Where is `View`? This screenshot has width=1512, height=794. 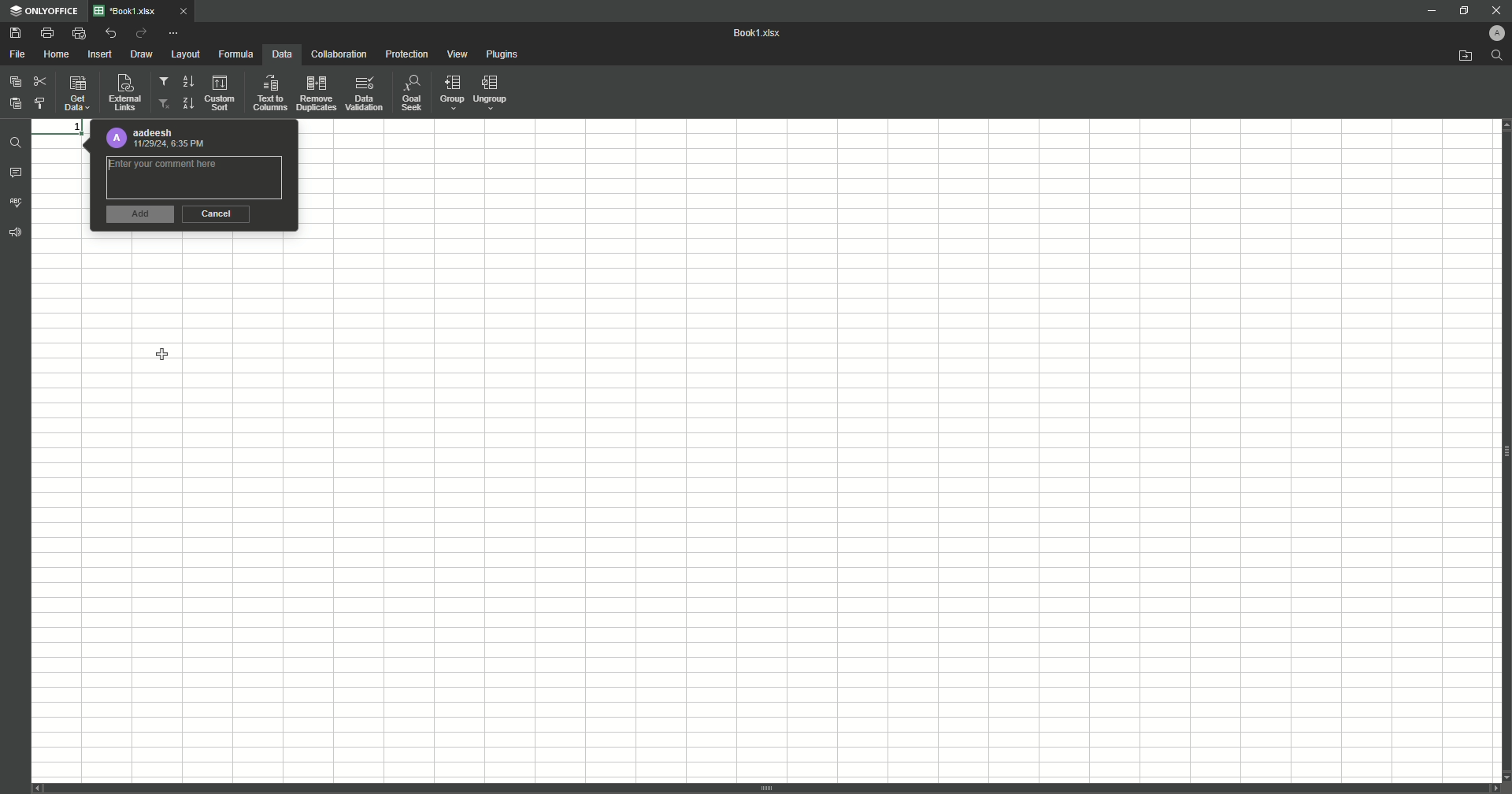 View is located at coordinates (459, 55).